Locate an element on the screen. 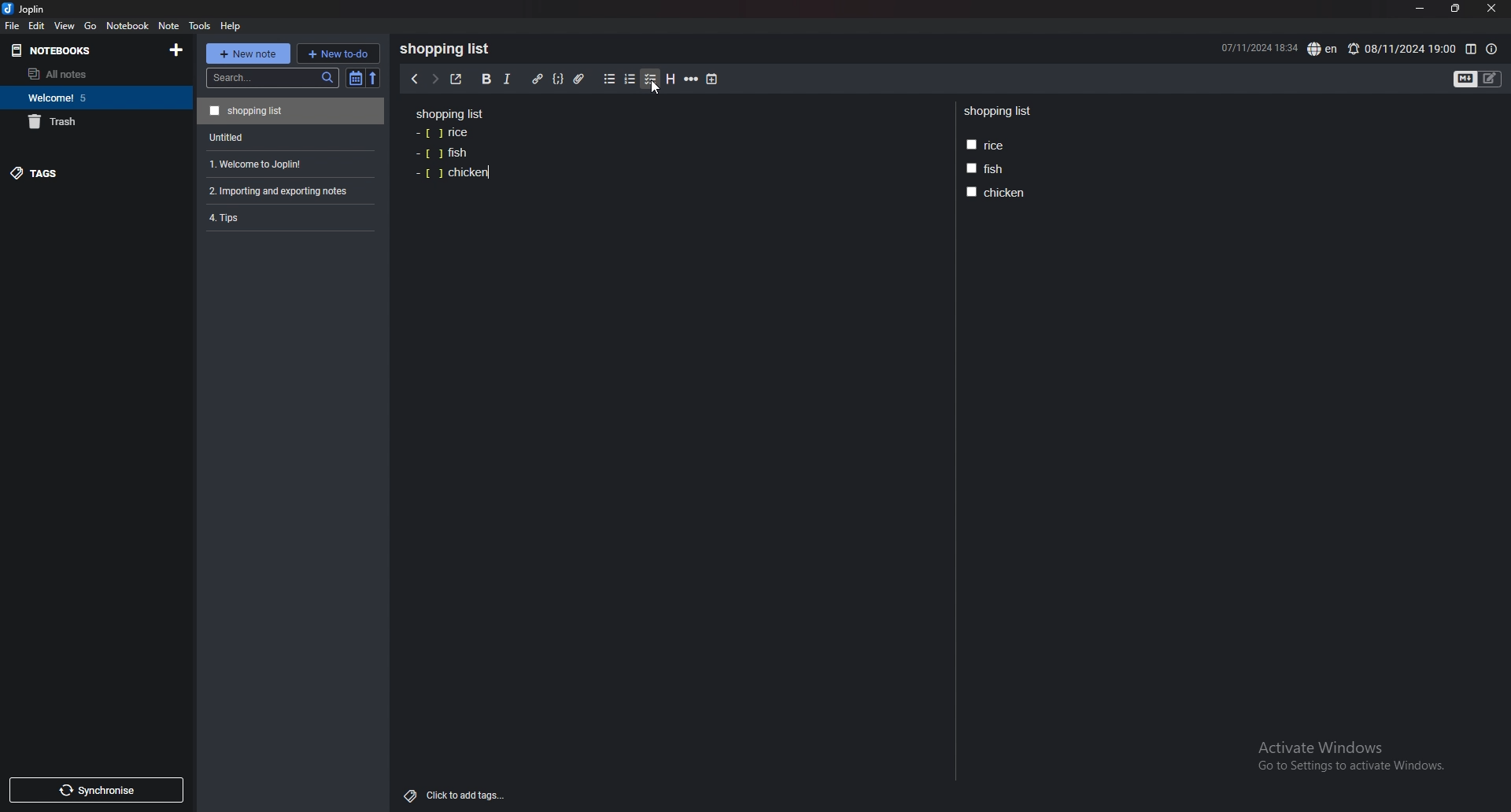  go is located at coordinates (91, 27).